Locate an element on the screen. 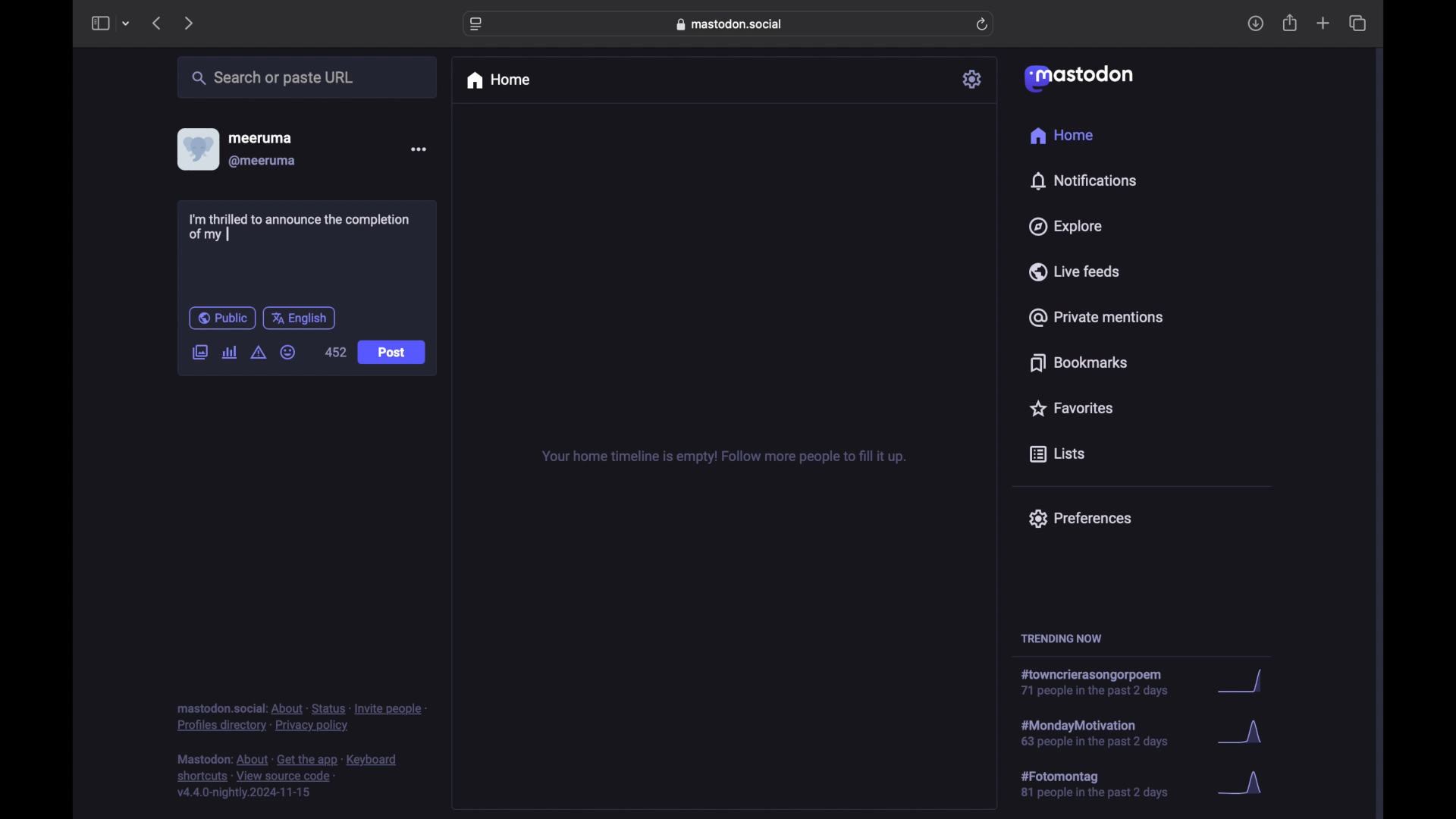 This screenshot has width=1456, height=819. graph is located at coordinates (1246, 682).